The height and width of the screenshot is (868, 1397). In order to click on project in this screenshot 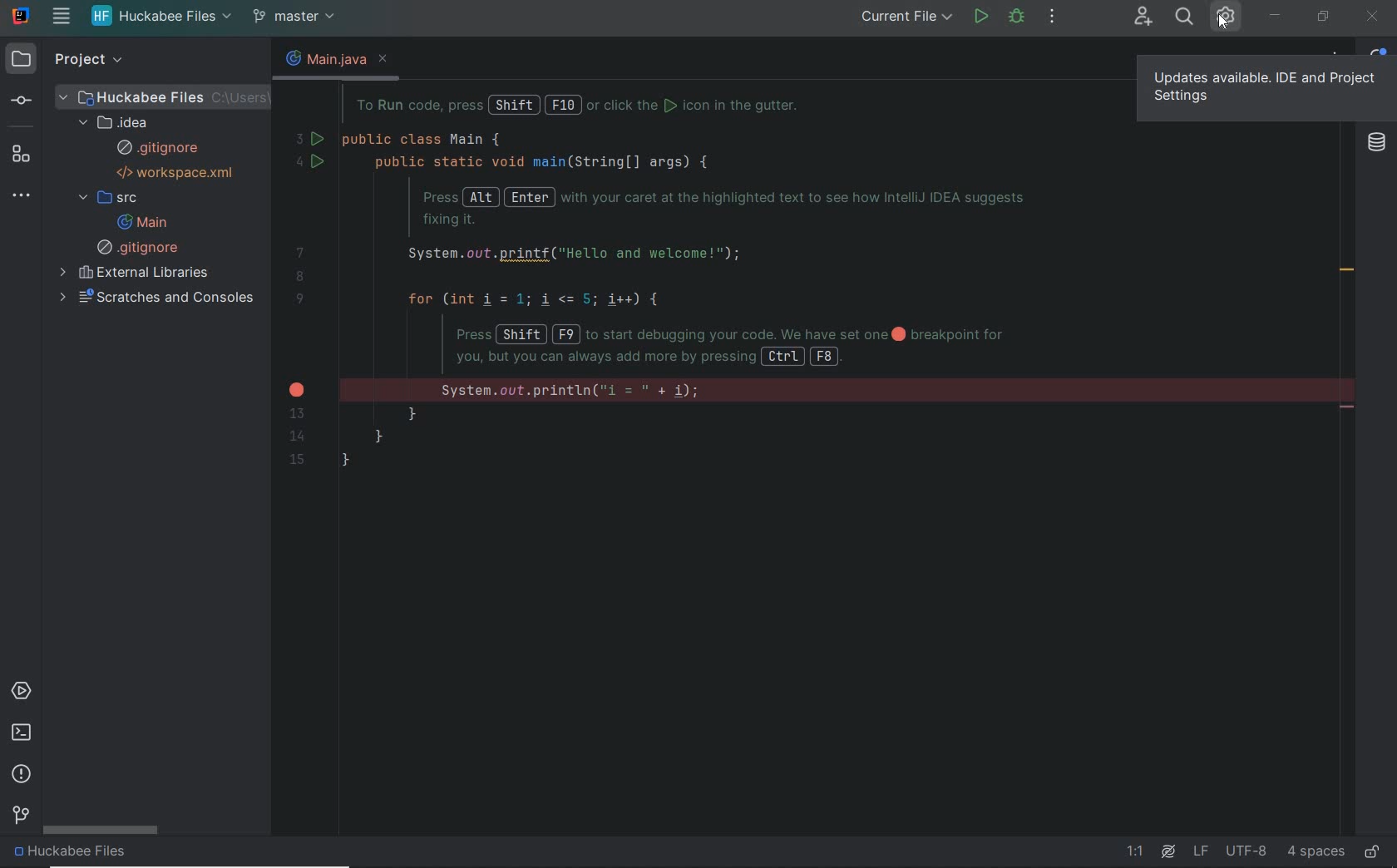, I will do `click(91, 59)`.